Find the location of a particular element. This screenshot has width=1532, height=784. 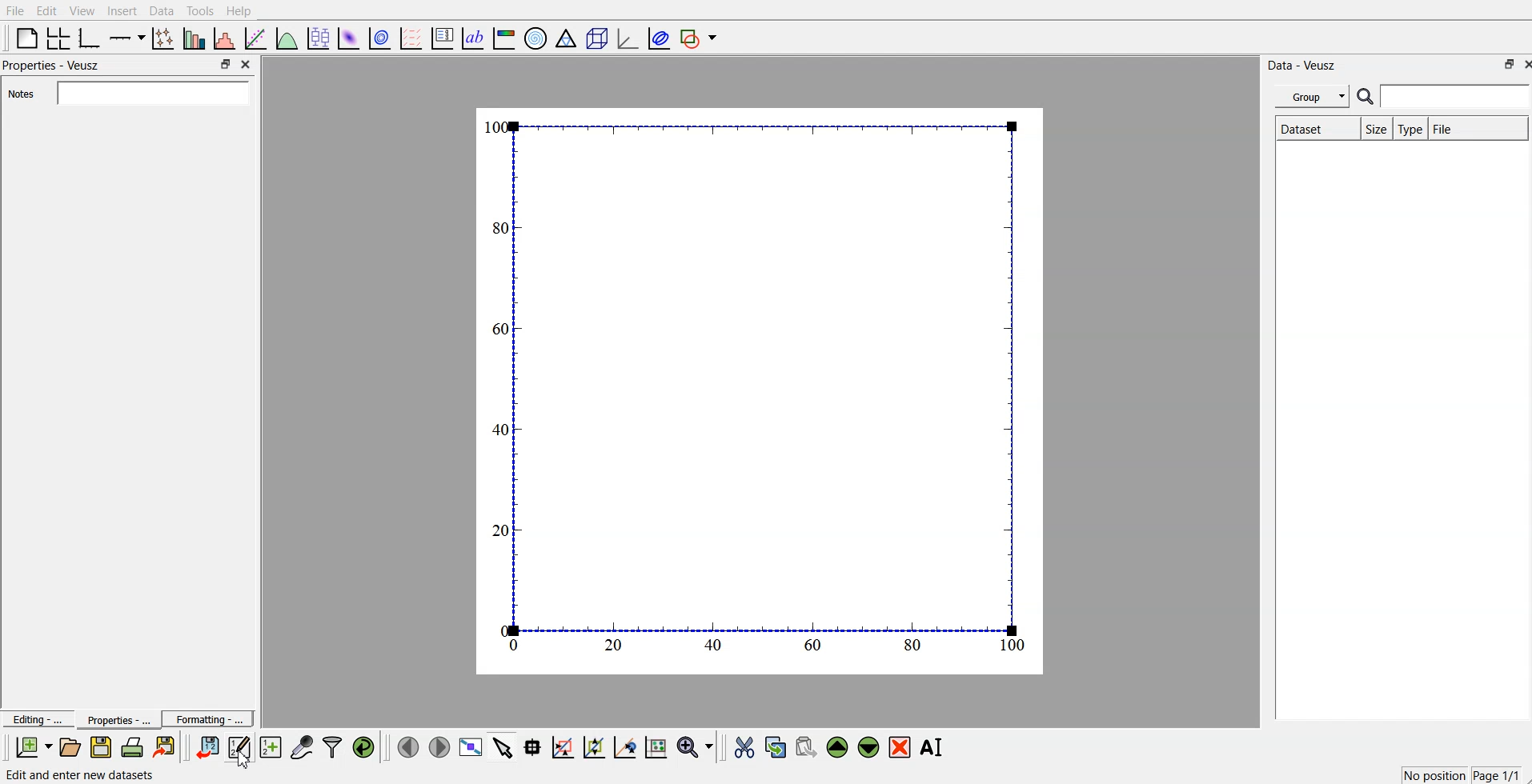

page is located at coordinates (762, 390).